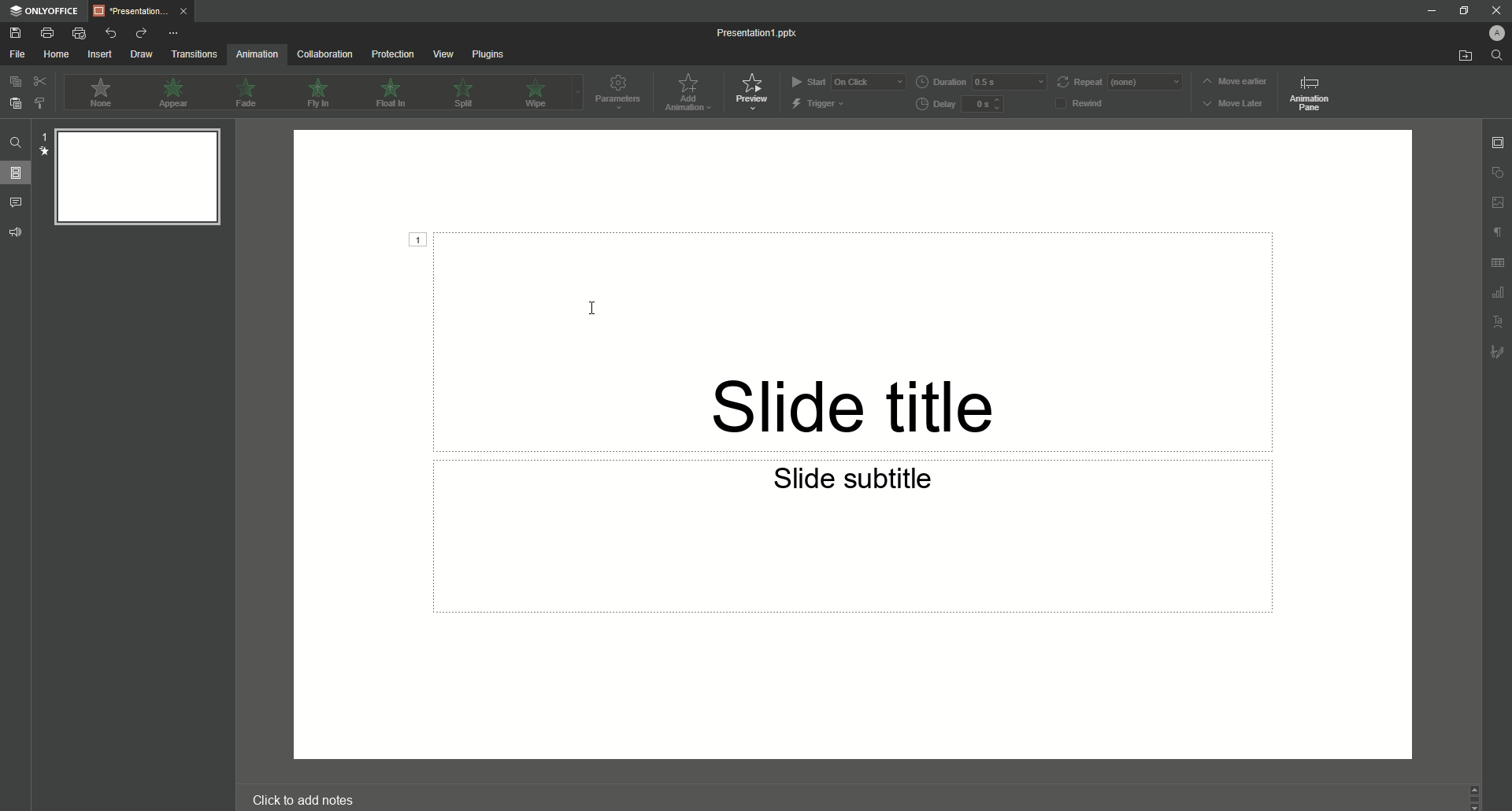  I want to click on Print, so click(48, 32).